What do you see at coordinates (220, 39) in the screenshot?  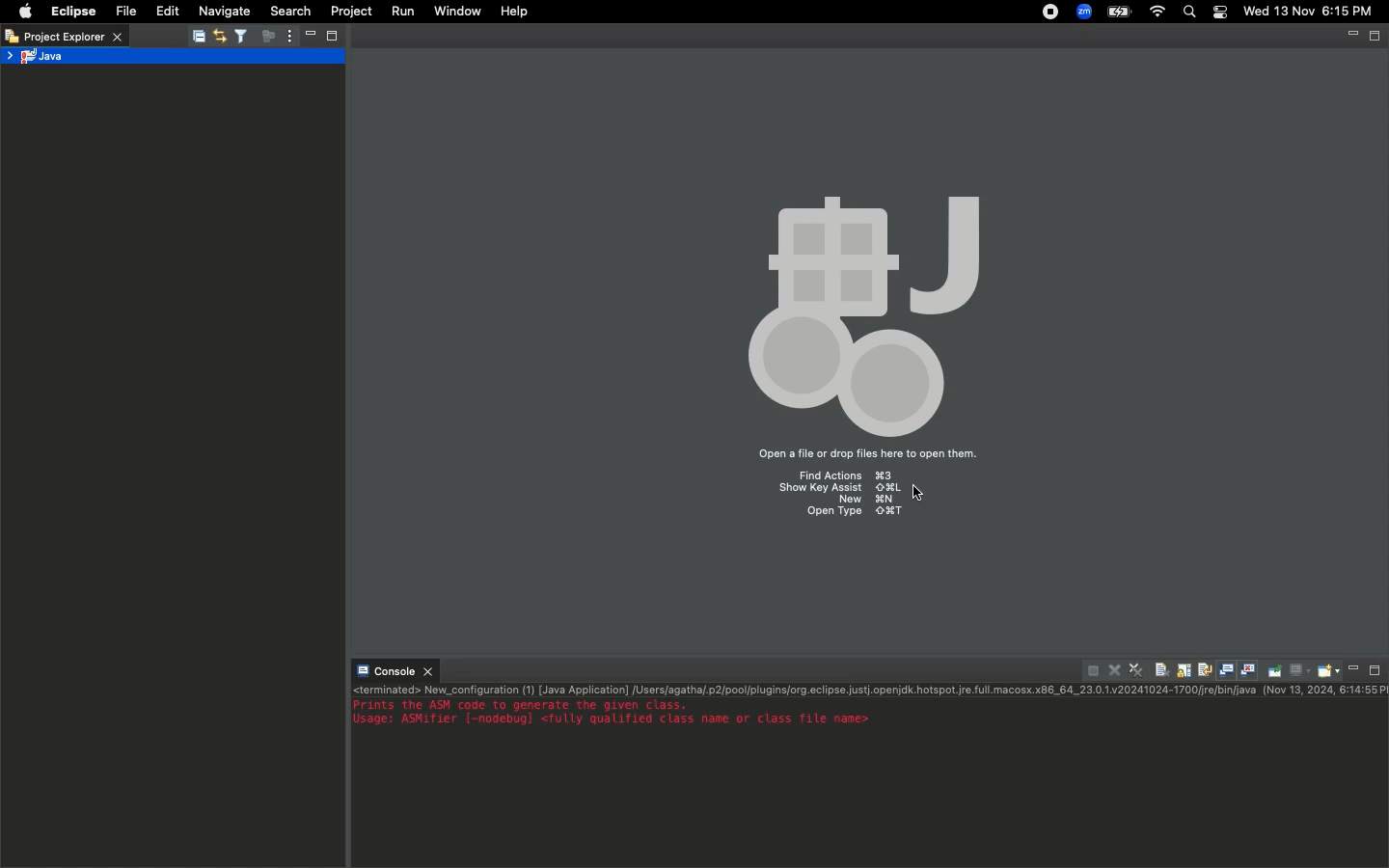 I see `Synchronize` at bounding box center [220, 39].